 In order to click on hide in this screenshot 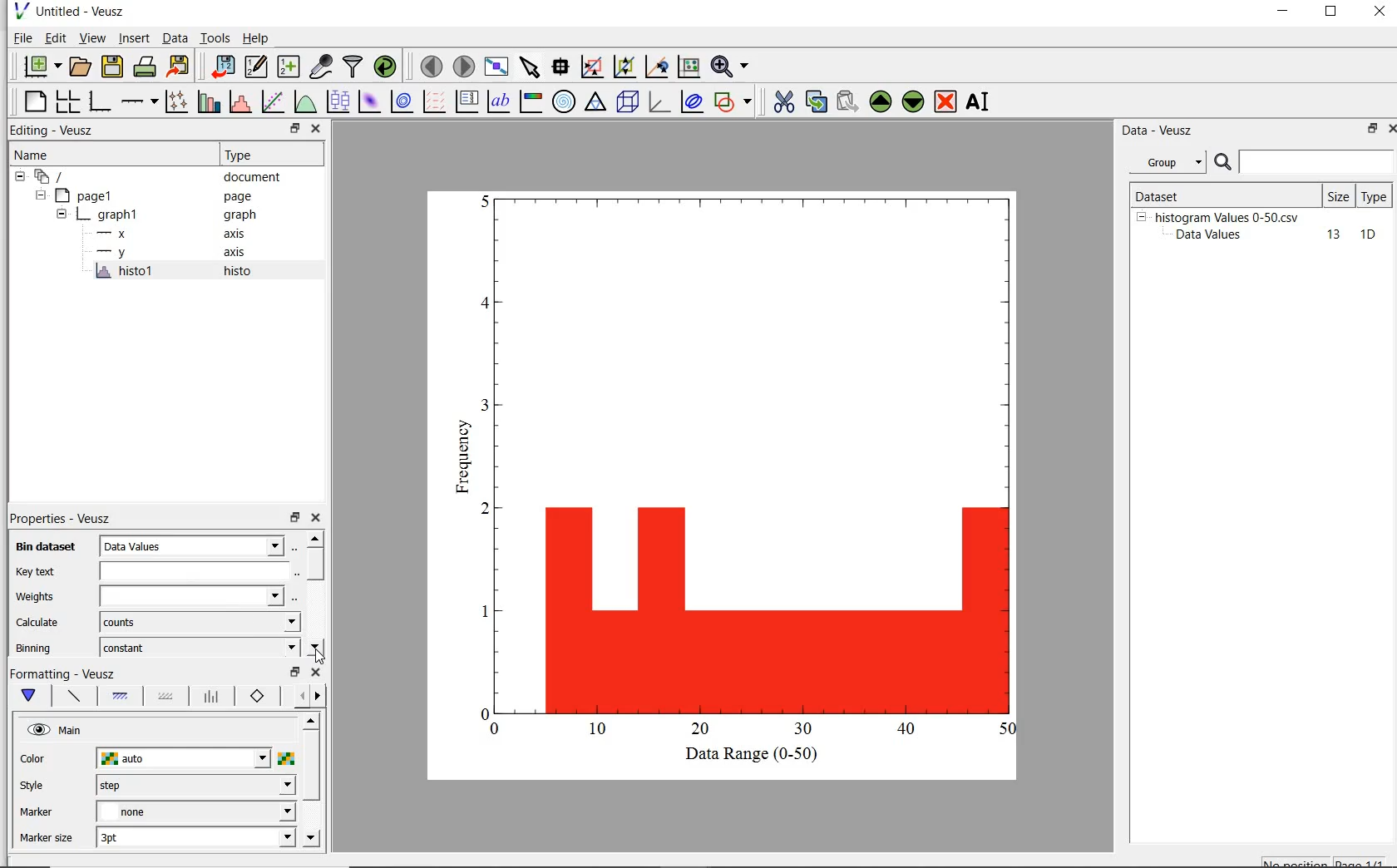, I will do `click(20, 177)`.